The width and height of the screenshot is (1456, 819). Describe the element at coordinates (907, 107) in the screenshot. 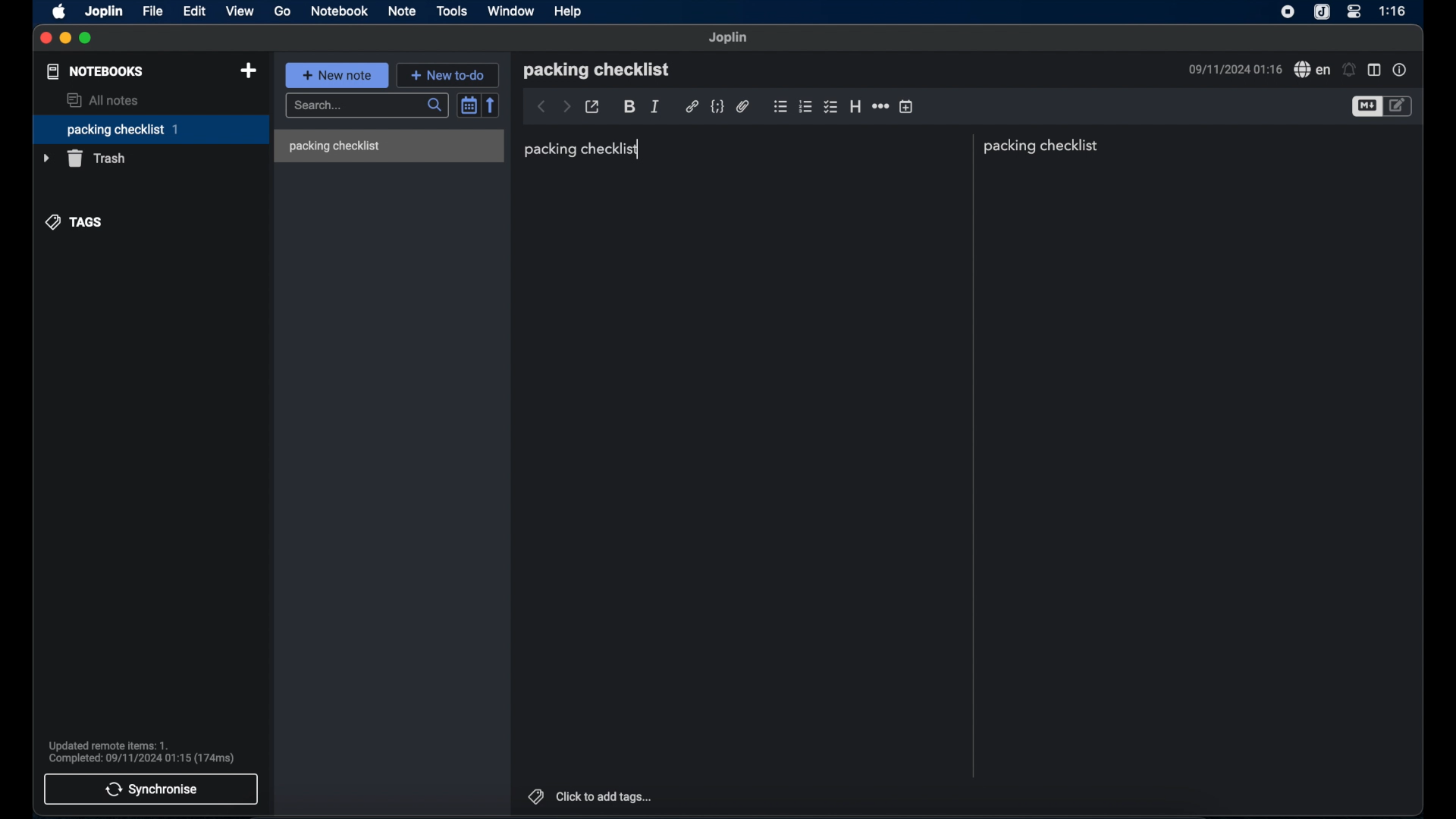

I see `insert time` at that location.